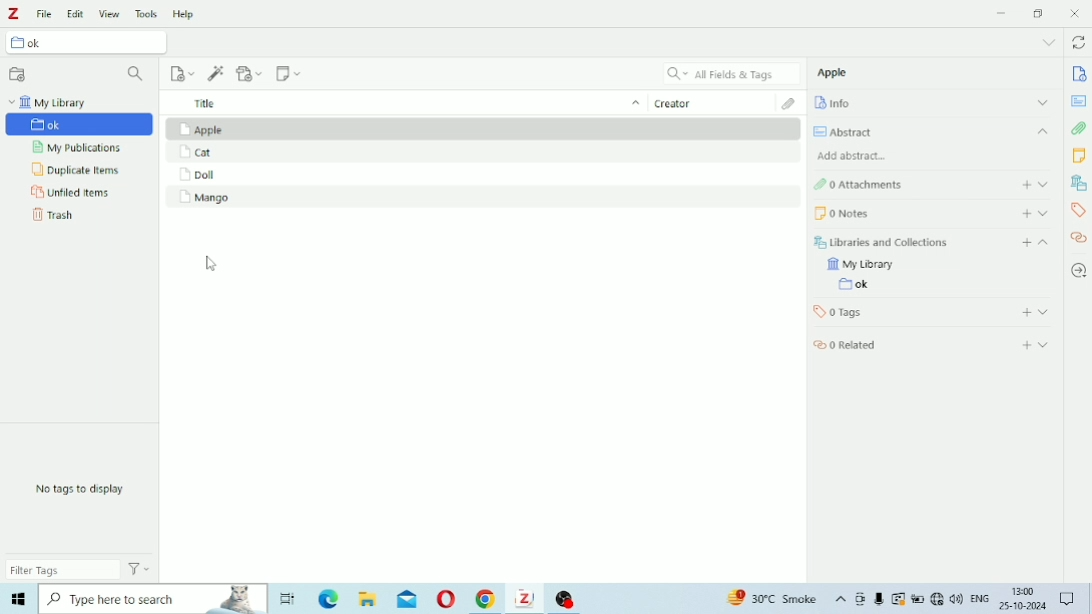  What do you see at coordinates (154, 598) in the screenshot?
I see `` at bounding box center [154, 598].